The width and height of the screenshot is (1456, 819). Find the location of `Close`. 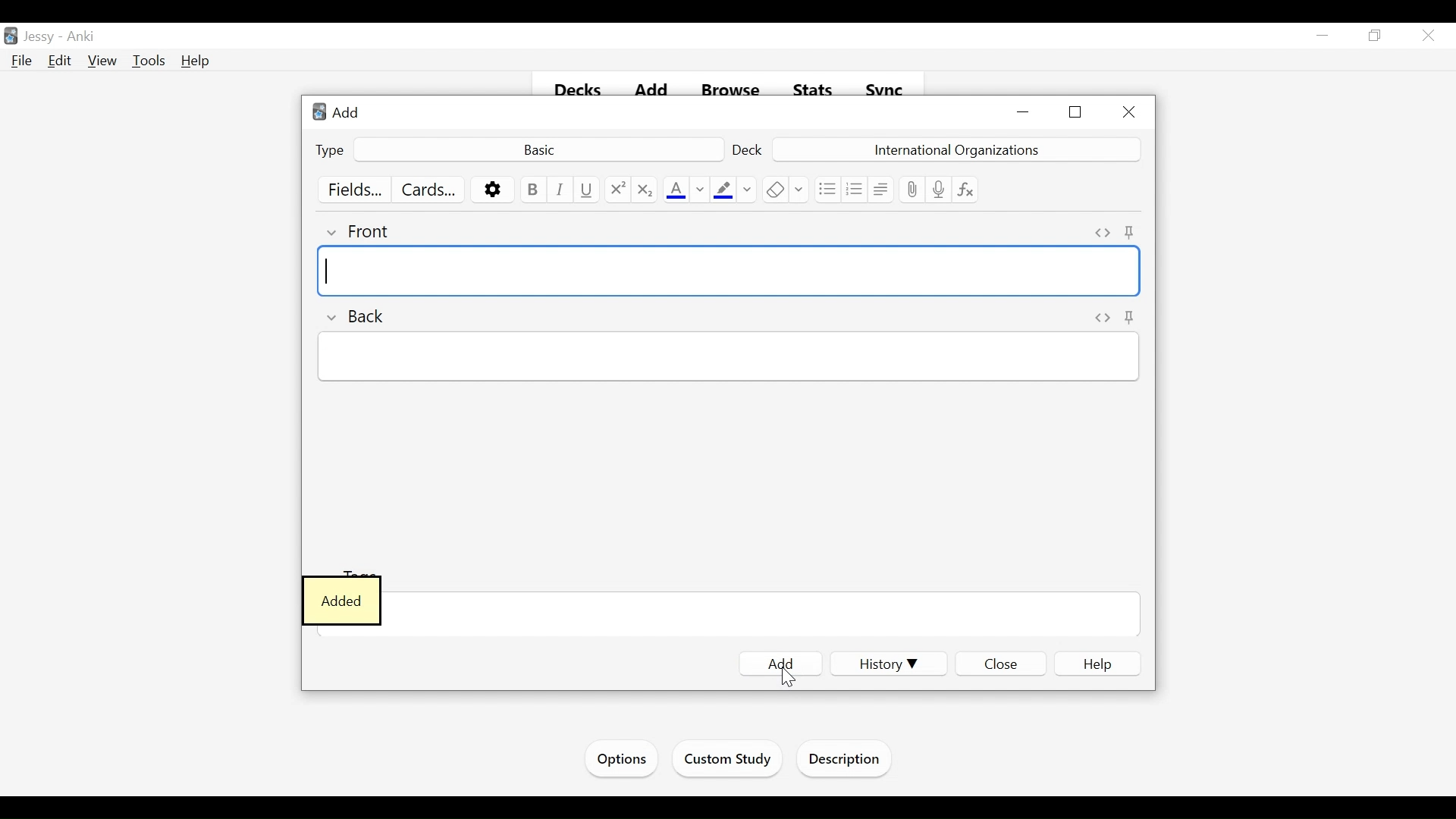

Close is located at coordinates (1000, 664).